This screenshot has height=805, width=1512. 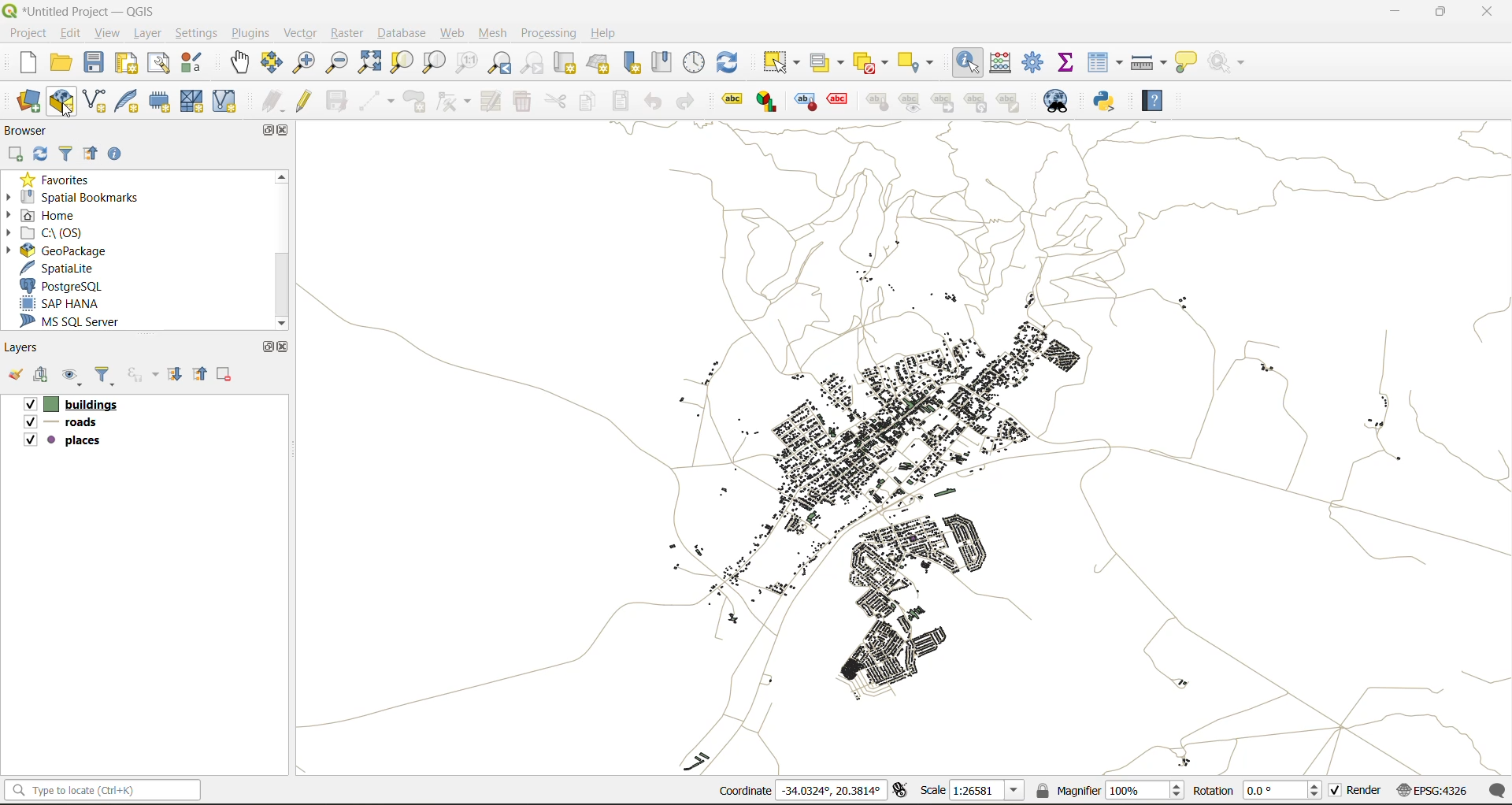 I want to click on copy, so click(x=591, y=102).